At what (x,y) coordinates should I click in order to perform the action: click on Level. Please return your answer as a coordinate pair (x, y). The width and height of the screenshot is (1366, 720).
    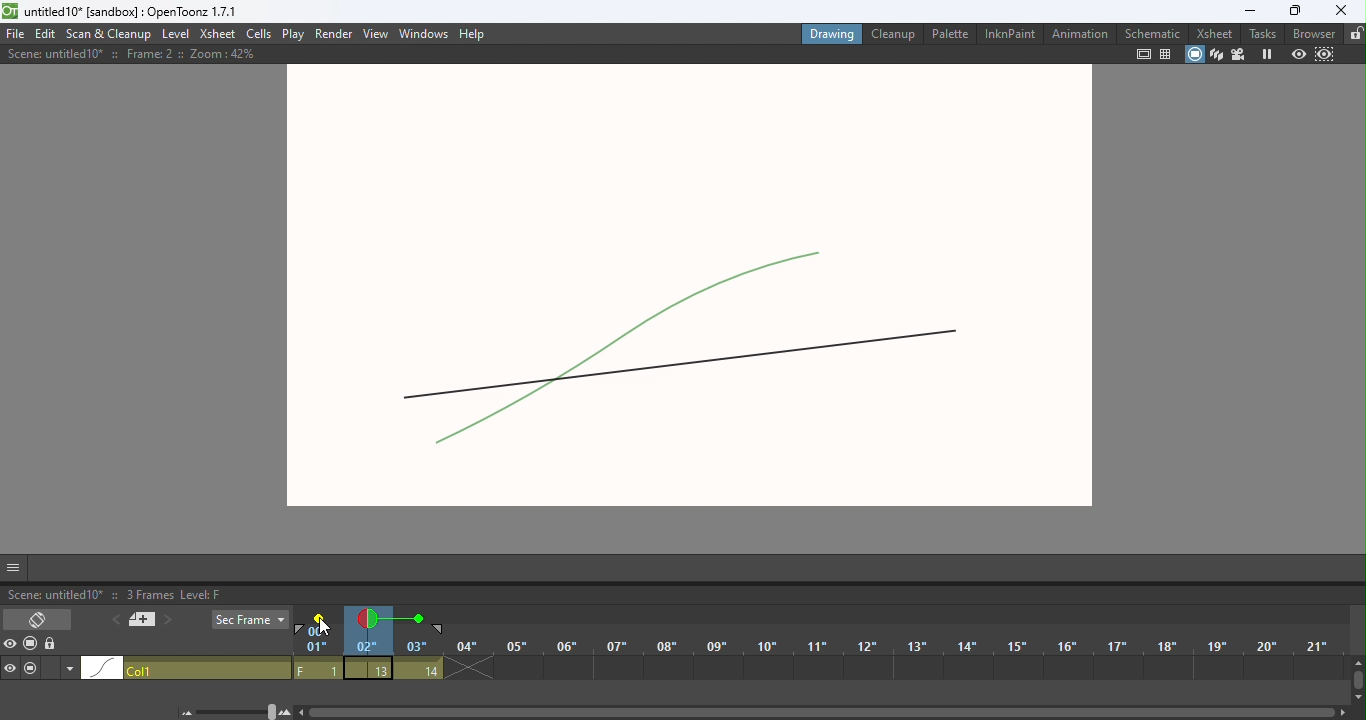
    Looking at the image, I should click on (177, 35).